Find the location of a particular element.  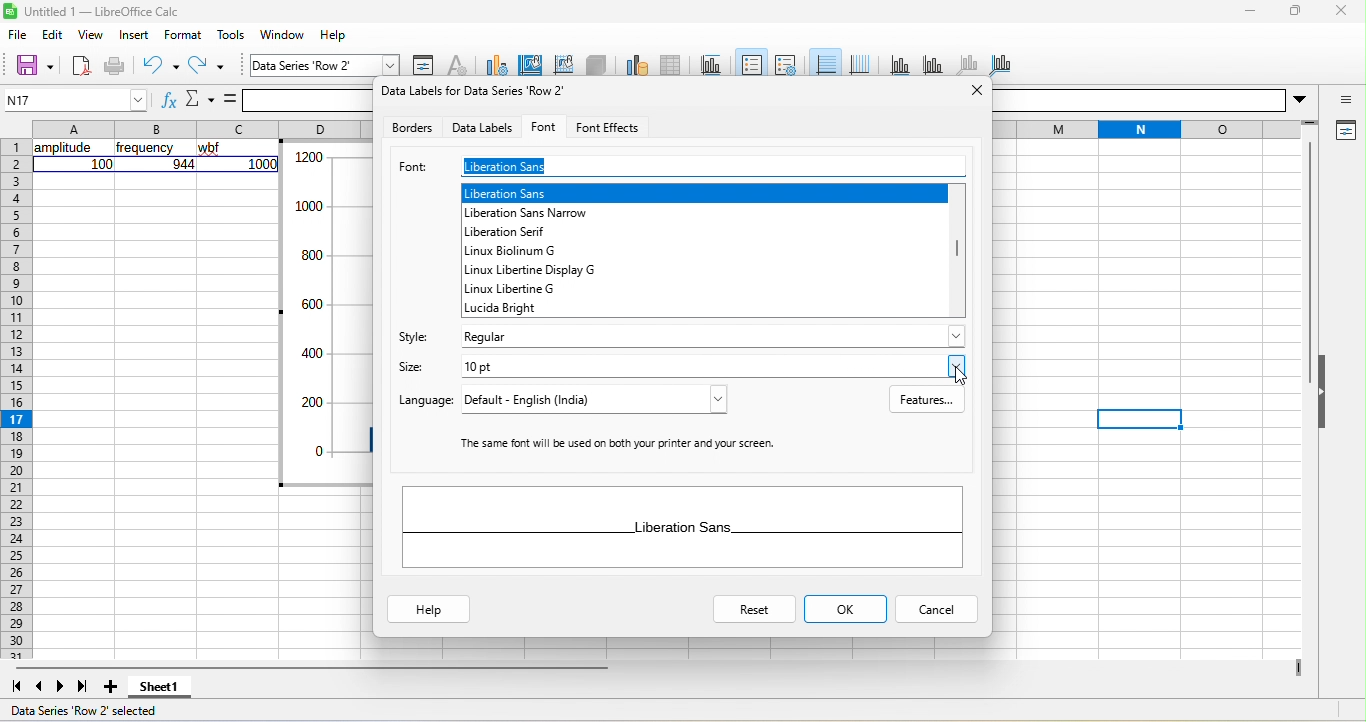

file is located at coordinates (21, 37).